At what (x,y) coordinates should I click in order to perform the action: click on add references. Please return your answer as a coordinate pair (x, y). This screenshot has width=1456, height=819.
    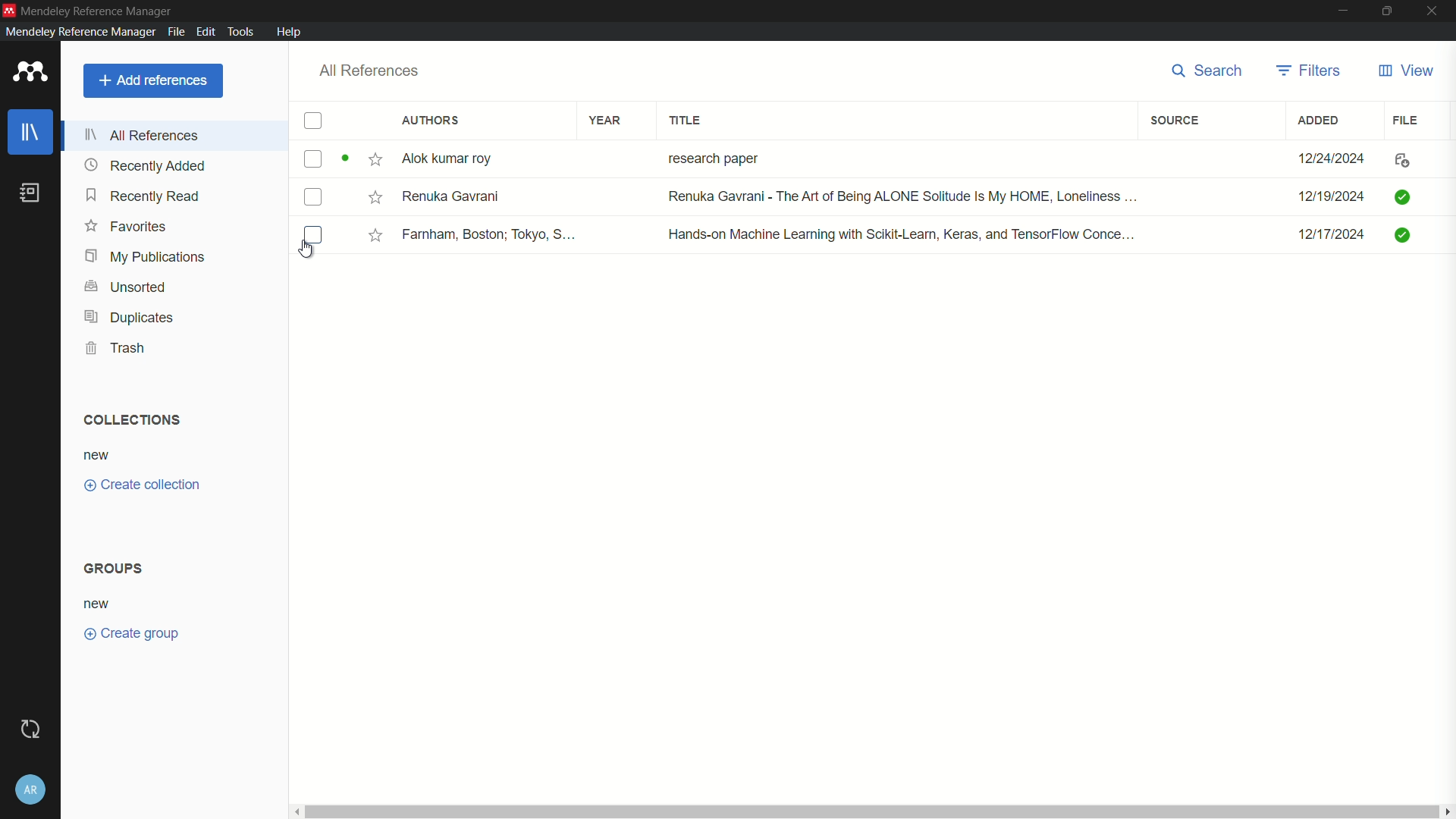
    Looking at the image, I should click on (152, 80).